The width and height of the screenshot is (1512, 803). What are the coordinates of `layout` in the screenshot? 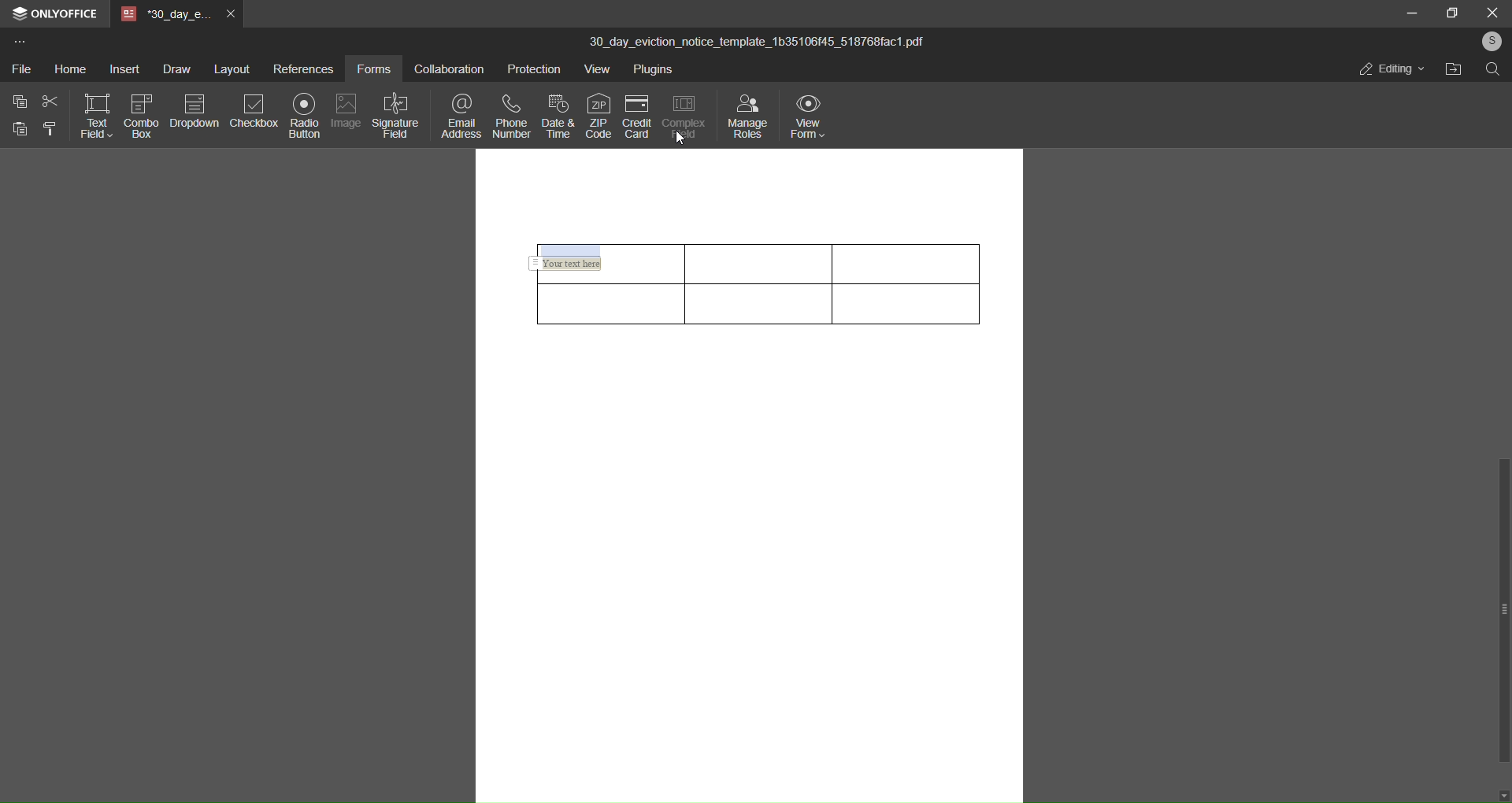 It's located at (233, 68).